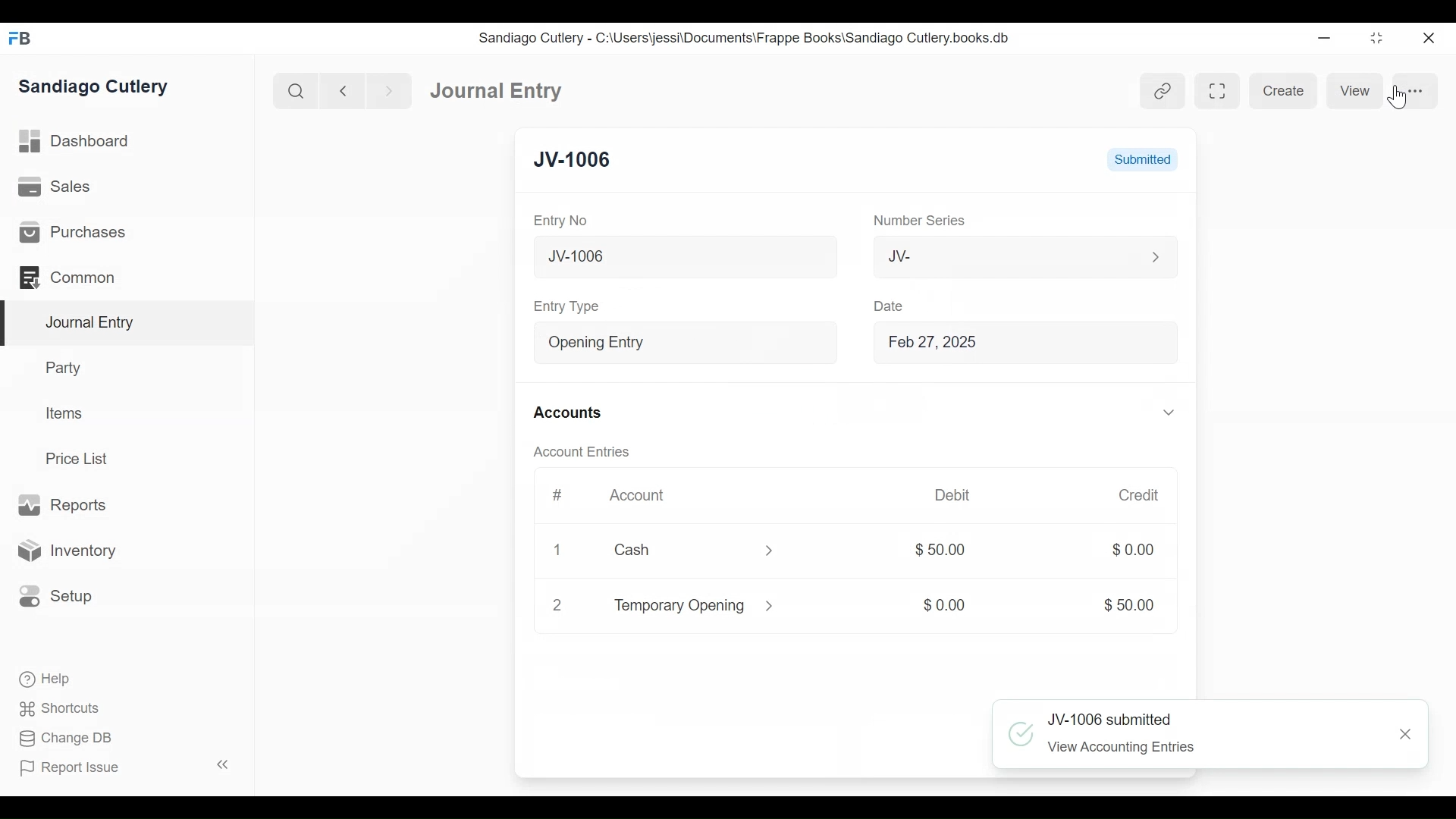  I want to click on JV-1006, so click(574, 159).